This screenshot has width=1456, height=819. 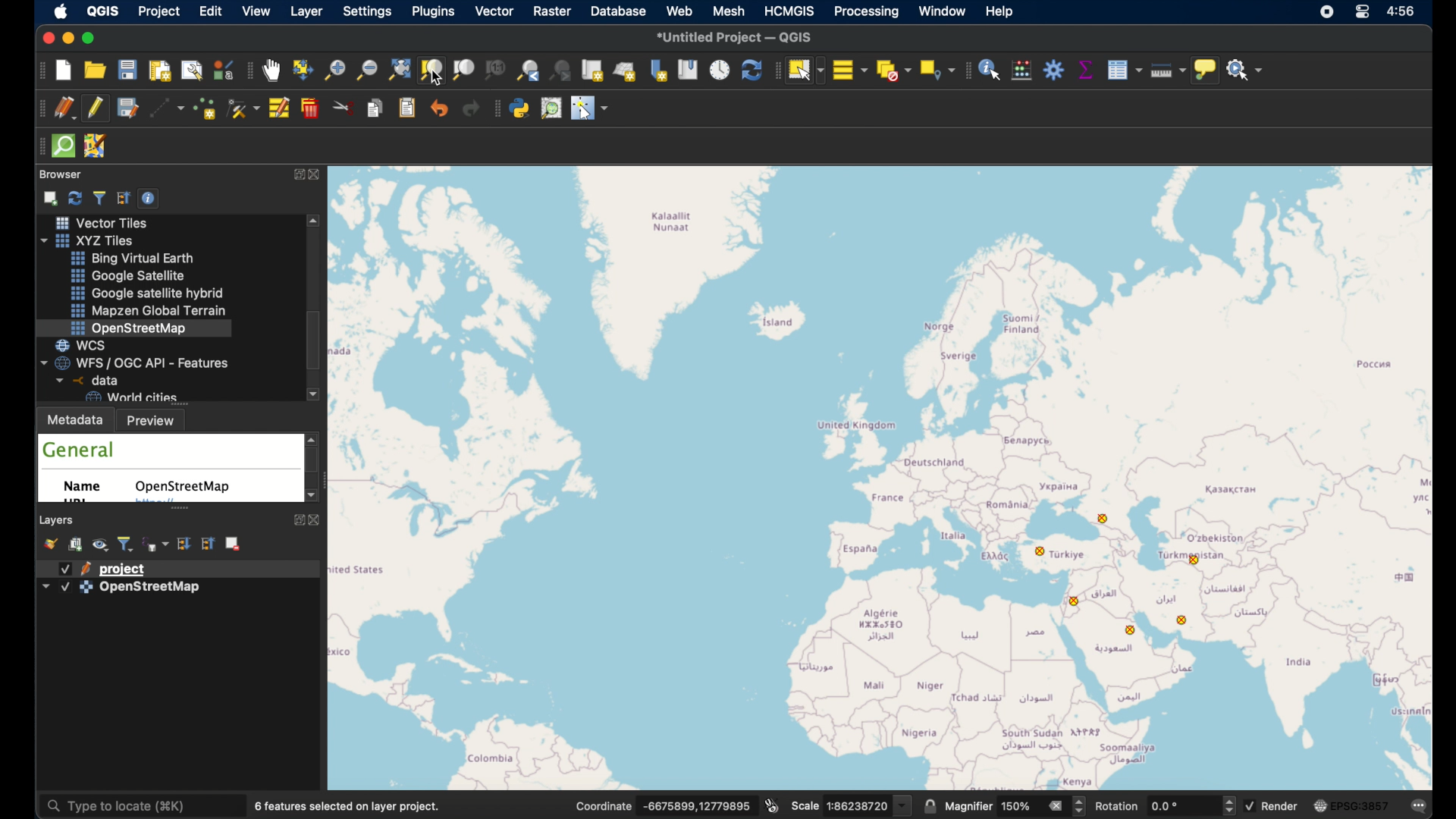 What do you see at coordinates (125, 568) in the screenshot?
I see `project layer` at bounding box center [125, 568].